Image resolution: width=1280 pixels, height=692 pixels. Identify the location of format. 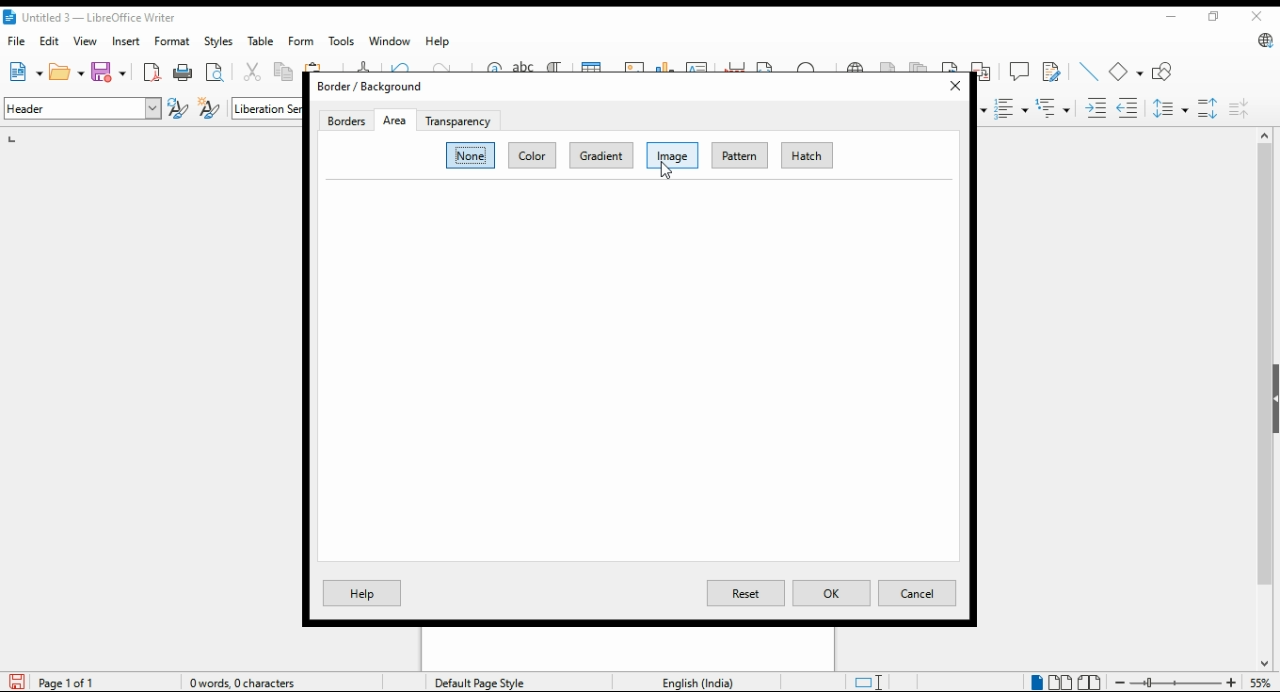
(174, 41).